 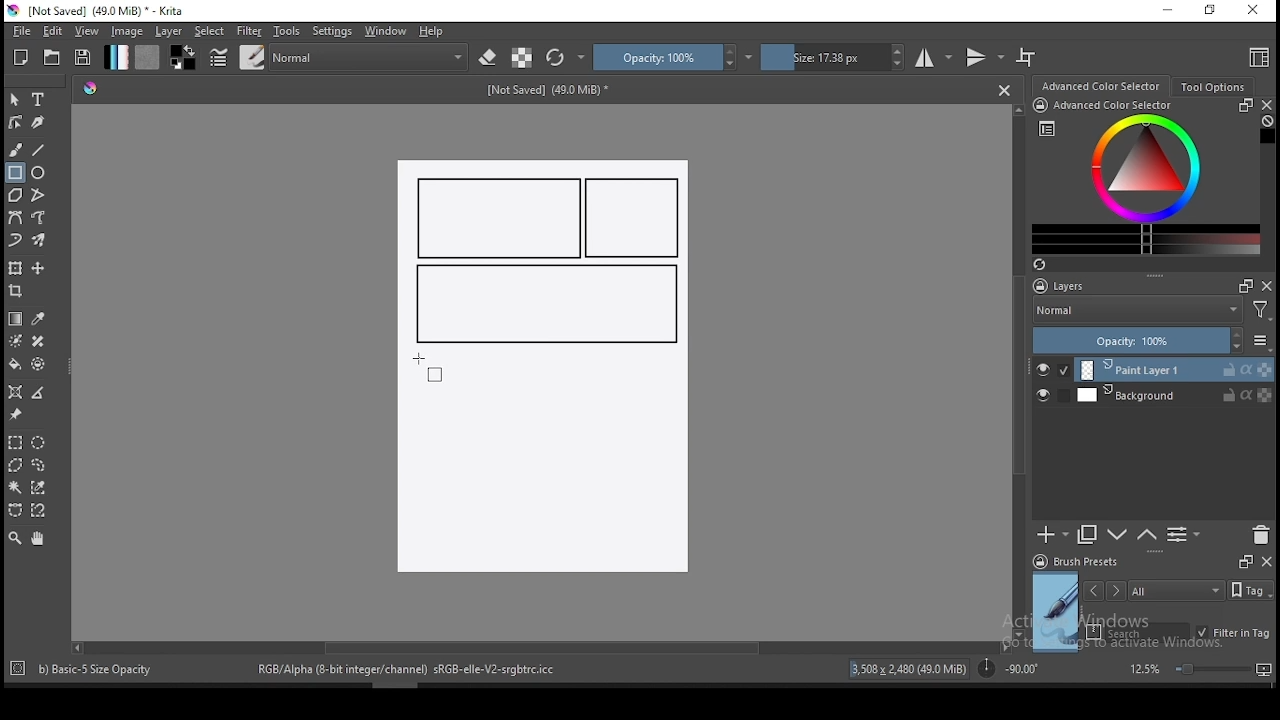 I want to click on gradient tool, so click(x=16, y=319).